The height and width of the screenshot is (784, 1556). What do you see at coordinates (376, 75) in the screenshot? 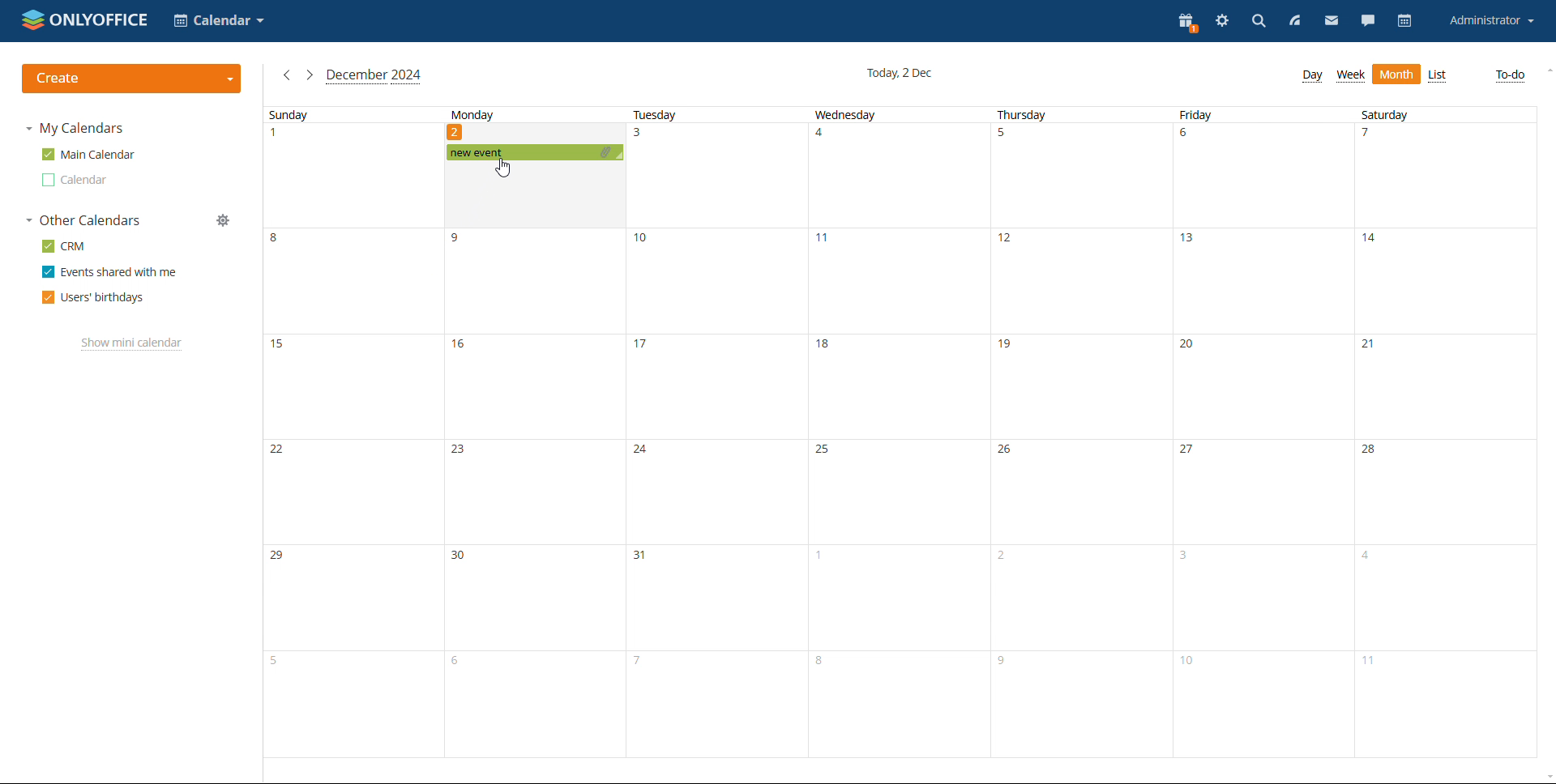
I see `December 2024` at bounding box center [376, 75].